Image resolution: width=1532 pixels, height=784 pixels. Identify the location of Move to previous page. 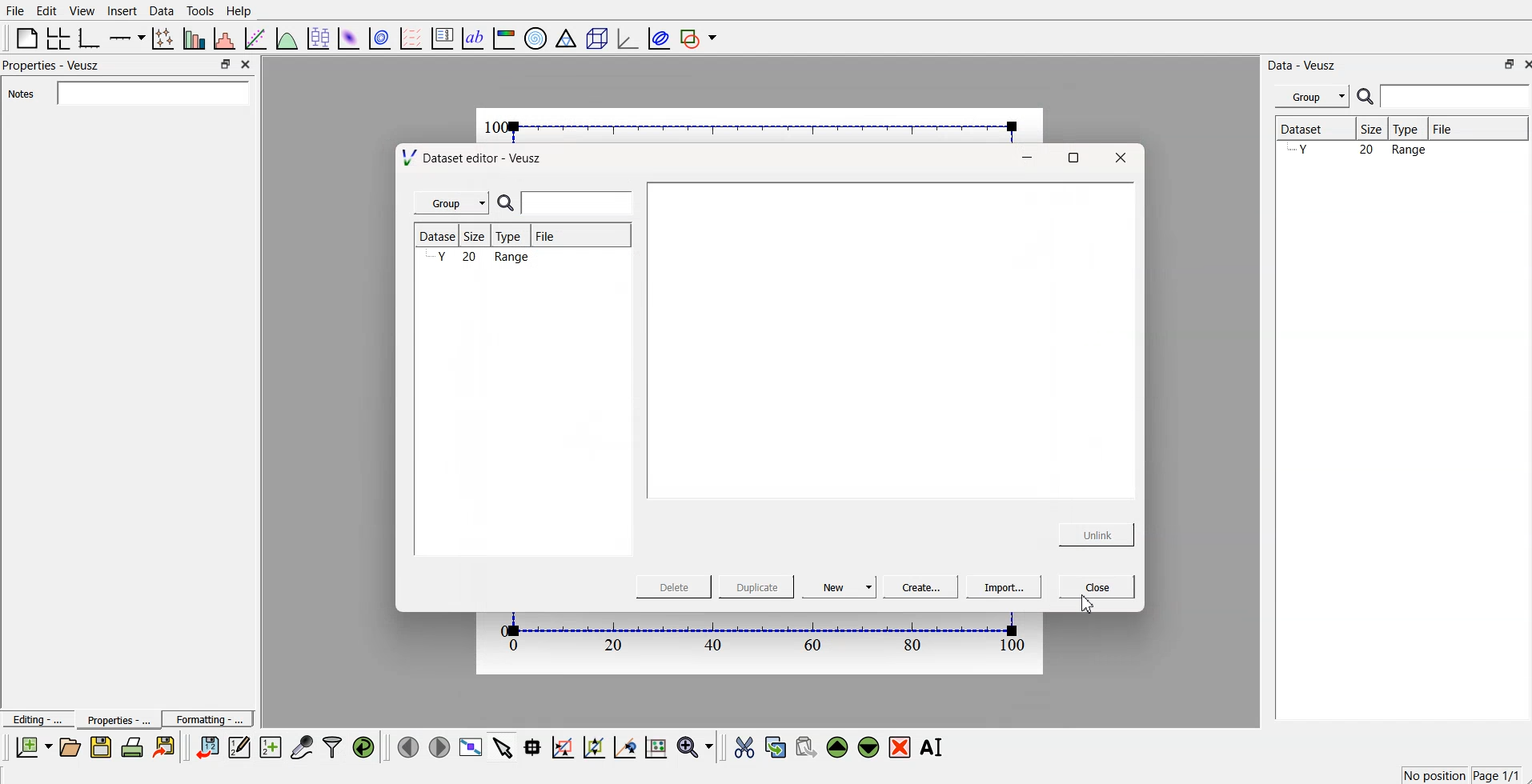
(406, 746).